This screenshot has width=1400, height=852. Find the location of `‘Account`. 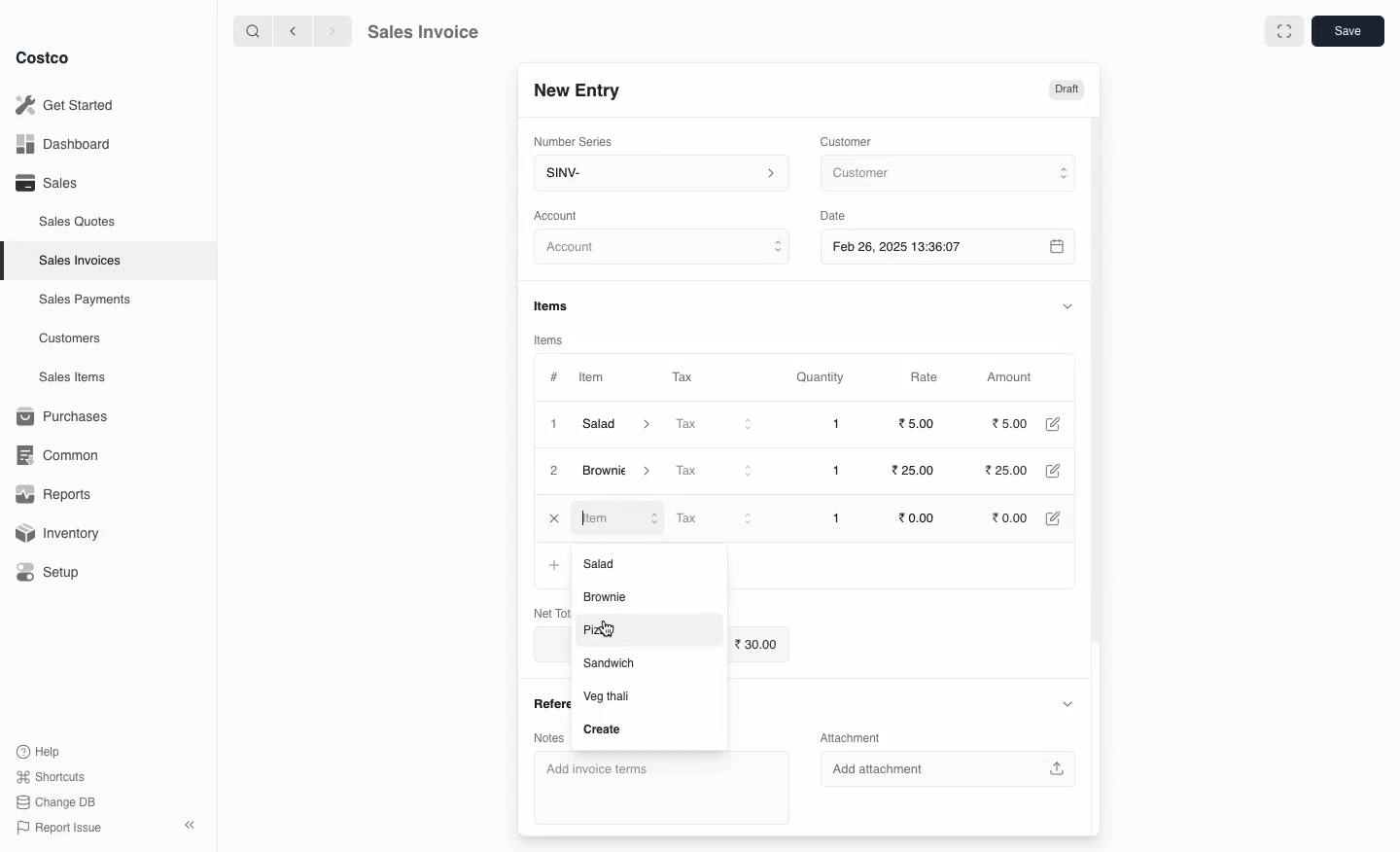

‘Account is located at coordinates (560, 215).